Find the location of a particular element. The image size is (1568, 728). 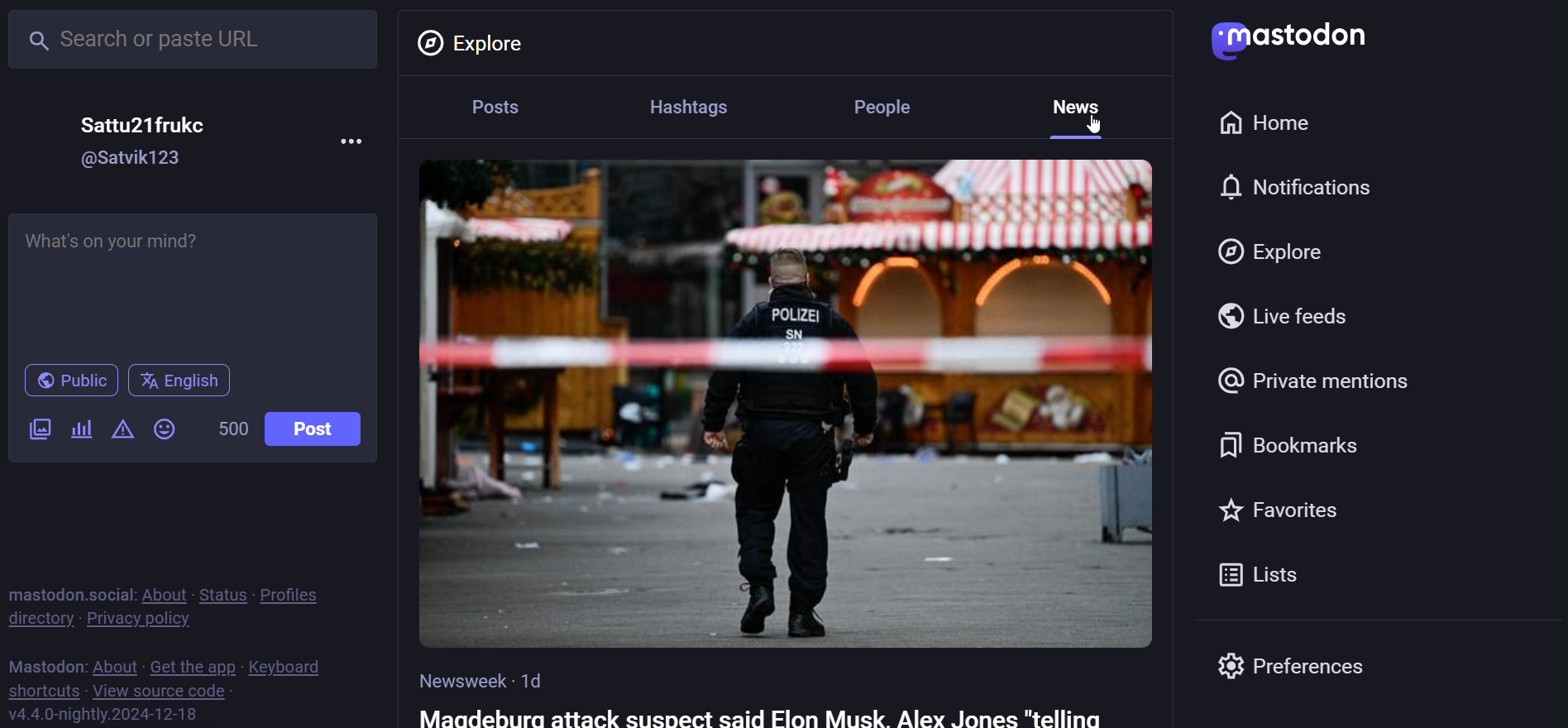

mastodon is located at coordinates (1293, 39).